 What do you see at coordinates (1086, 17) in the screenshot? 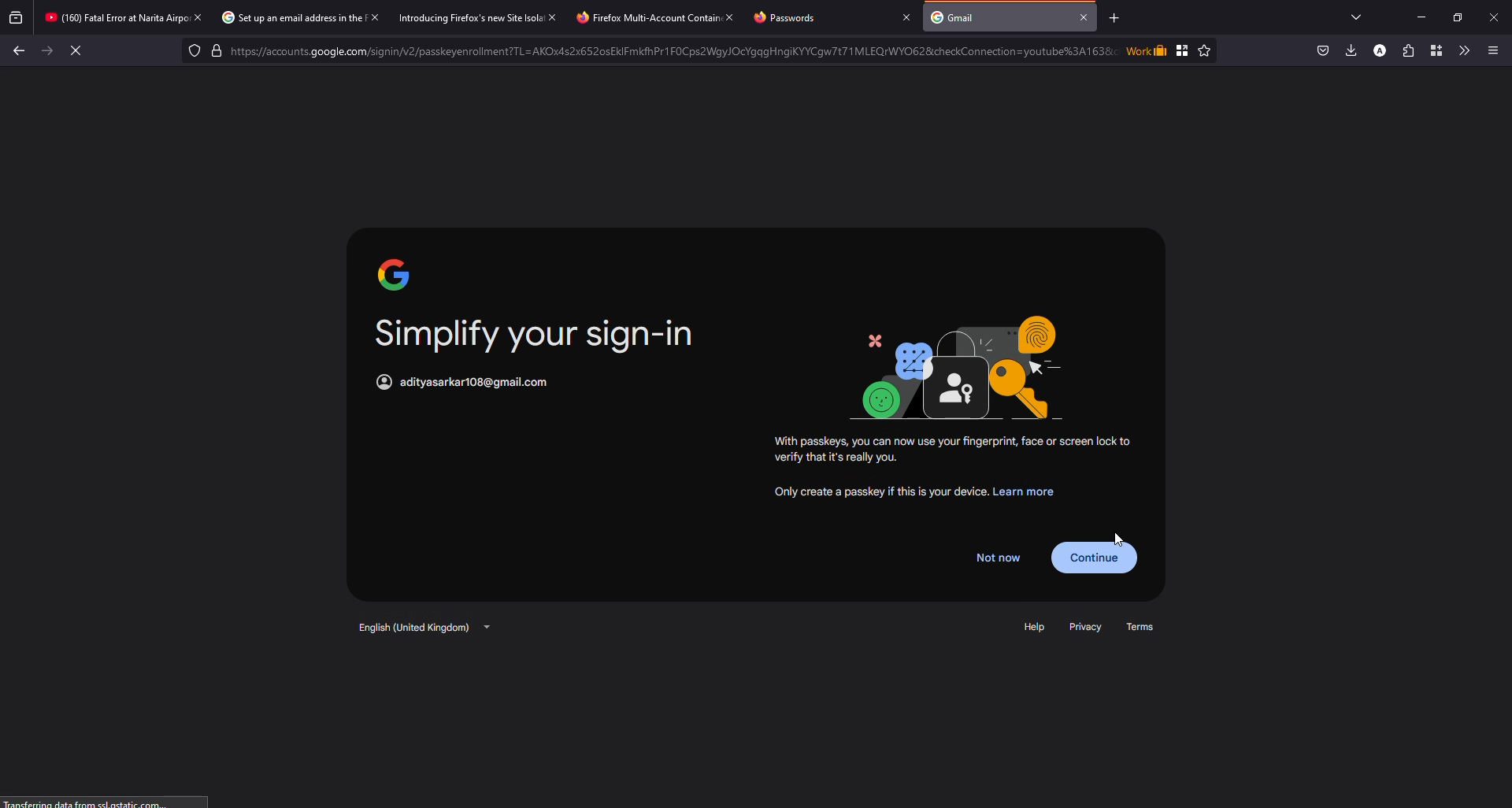
I see `close` at bounding box center [1086, 17].